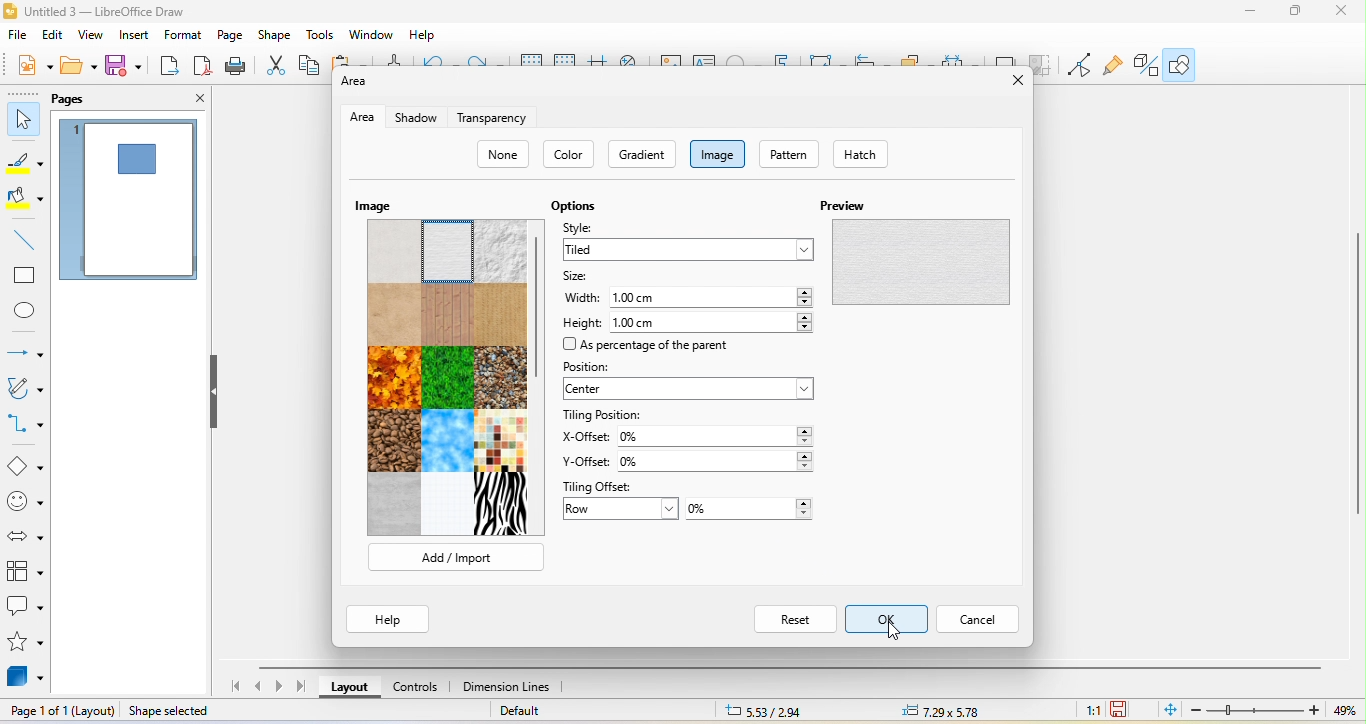  I want to click on arrange, so click(915, 58).